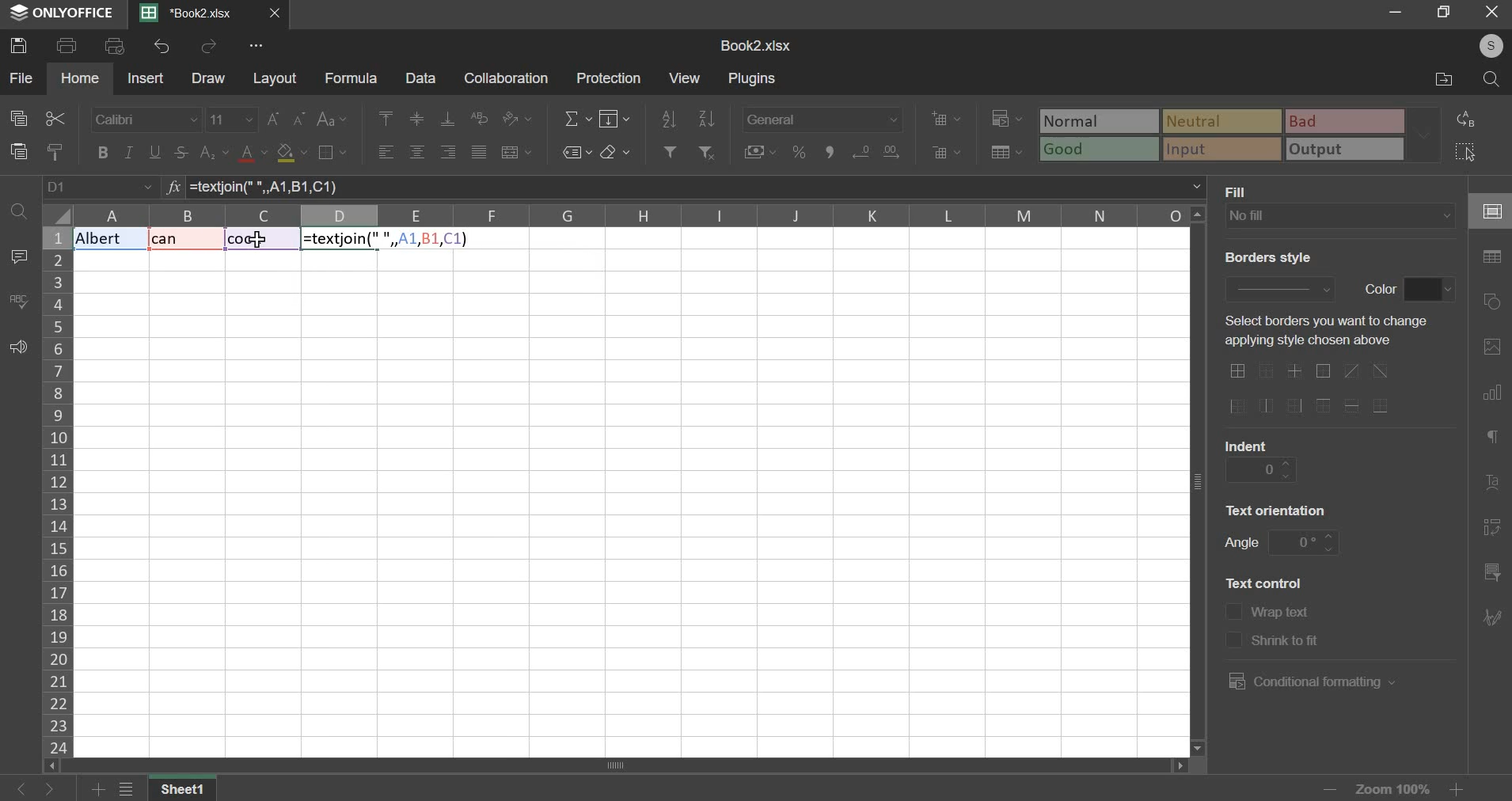  What do you see at coordinates (1491, 13) in the screenshot?
I see `exit` at bounding box center [1491, 13].